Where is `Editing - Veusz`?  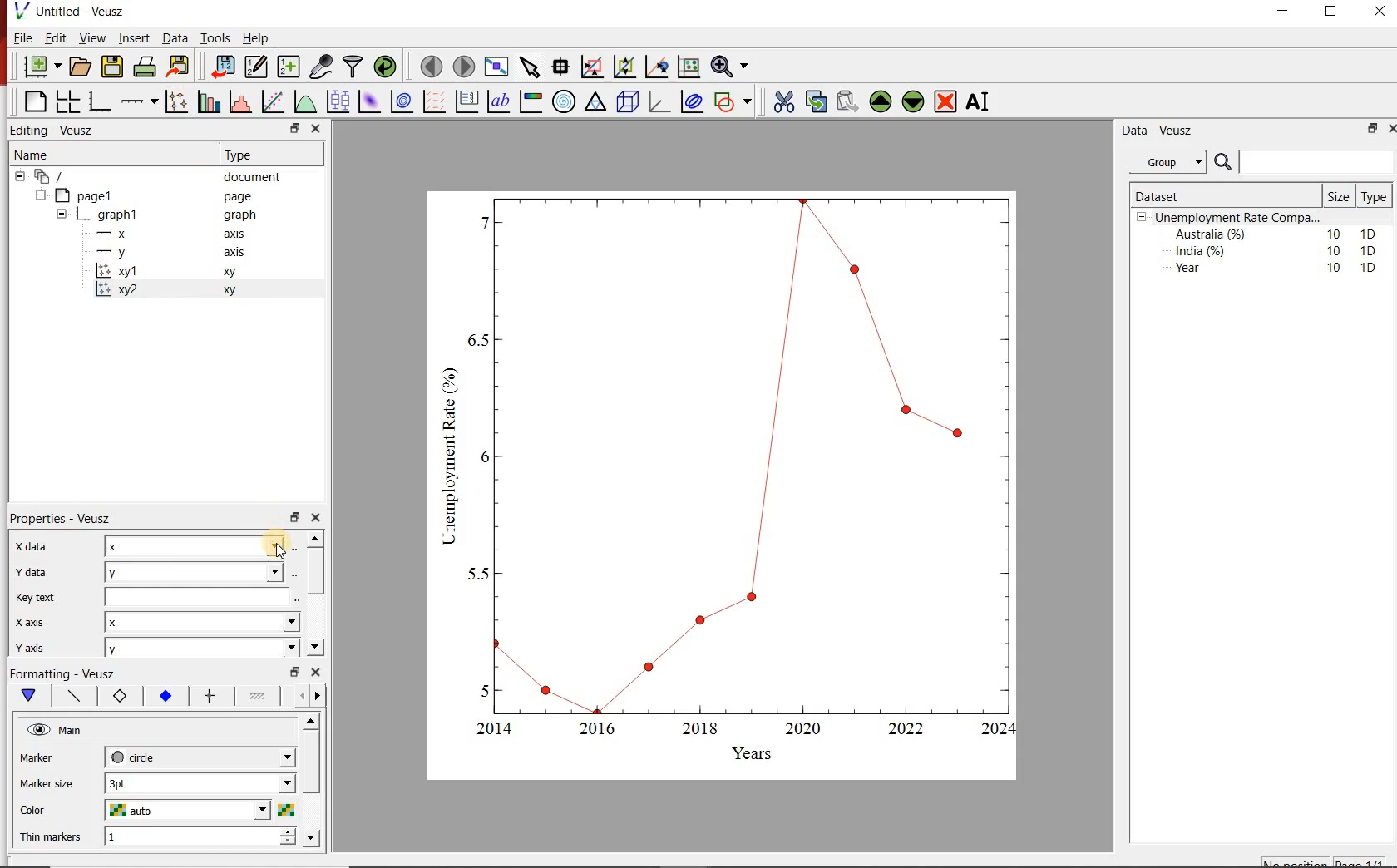
Editing - Veusz is located at coordinates (55, 129).